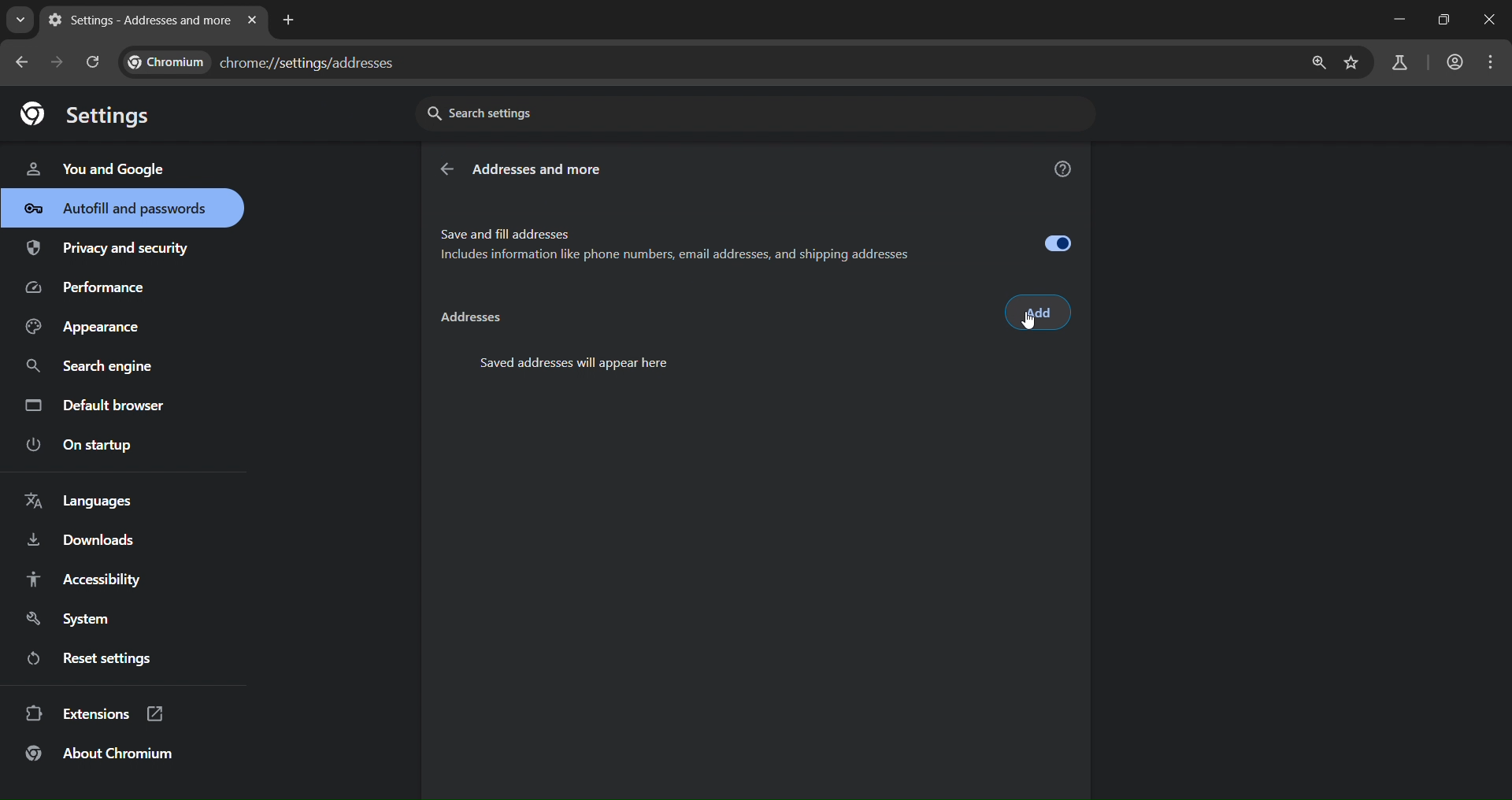 This screenshot has height=800, width=1512. Describe the element at coordinates (20, 20) in the screenshot. I see `search  tabs` at that location.